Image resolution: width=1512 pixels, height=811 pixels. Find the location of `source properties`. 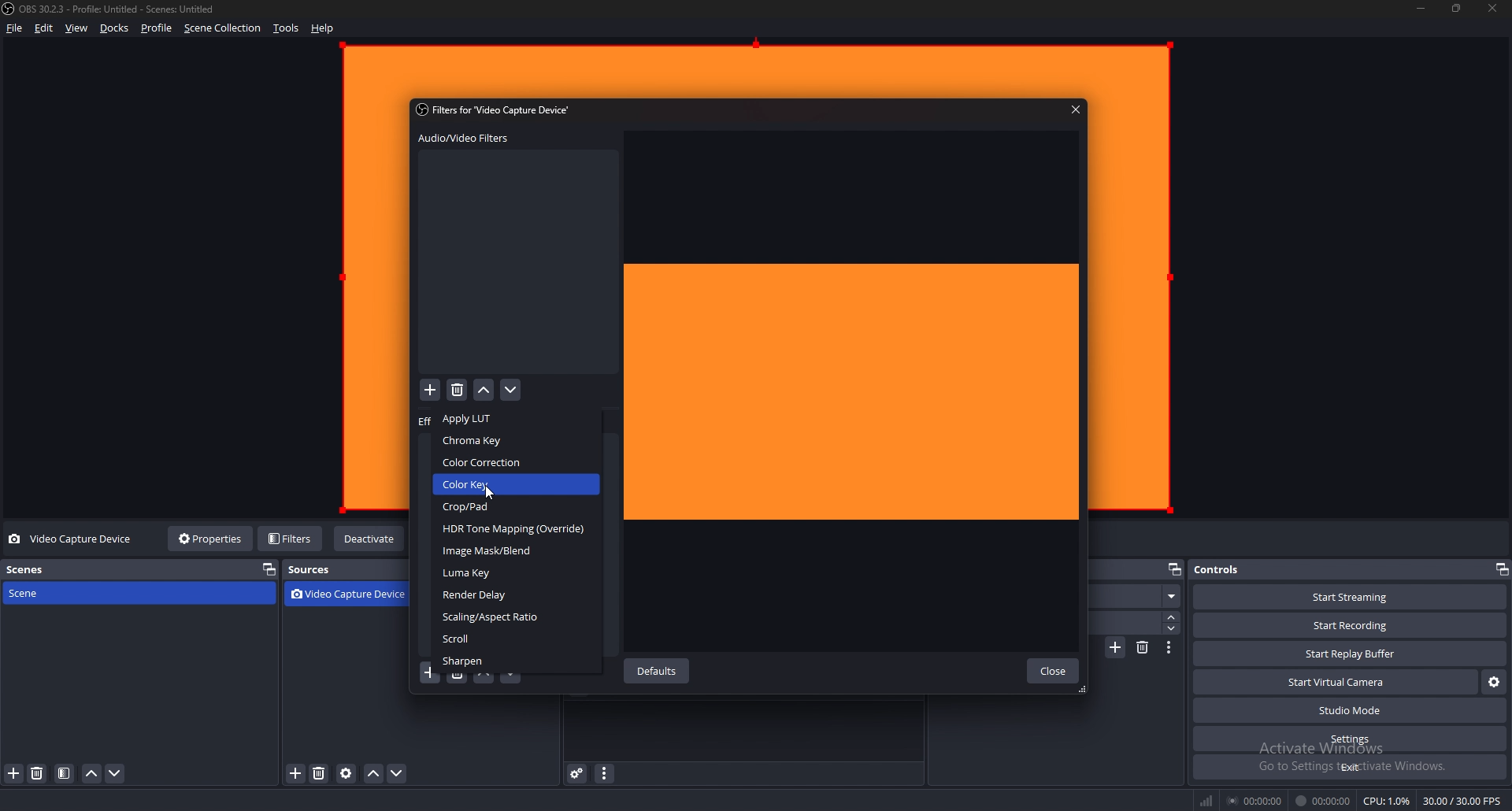

source properties is located at coordinates (346, 774).